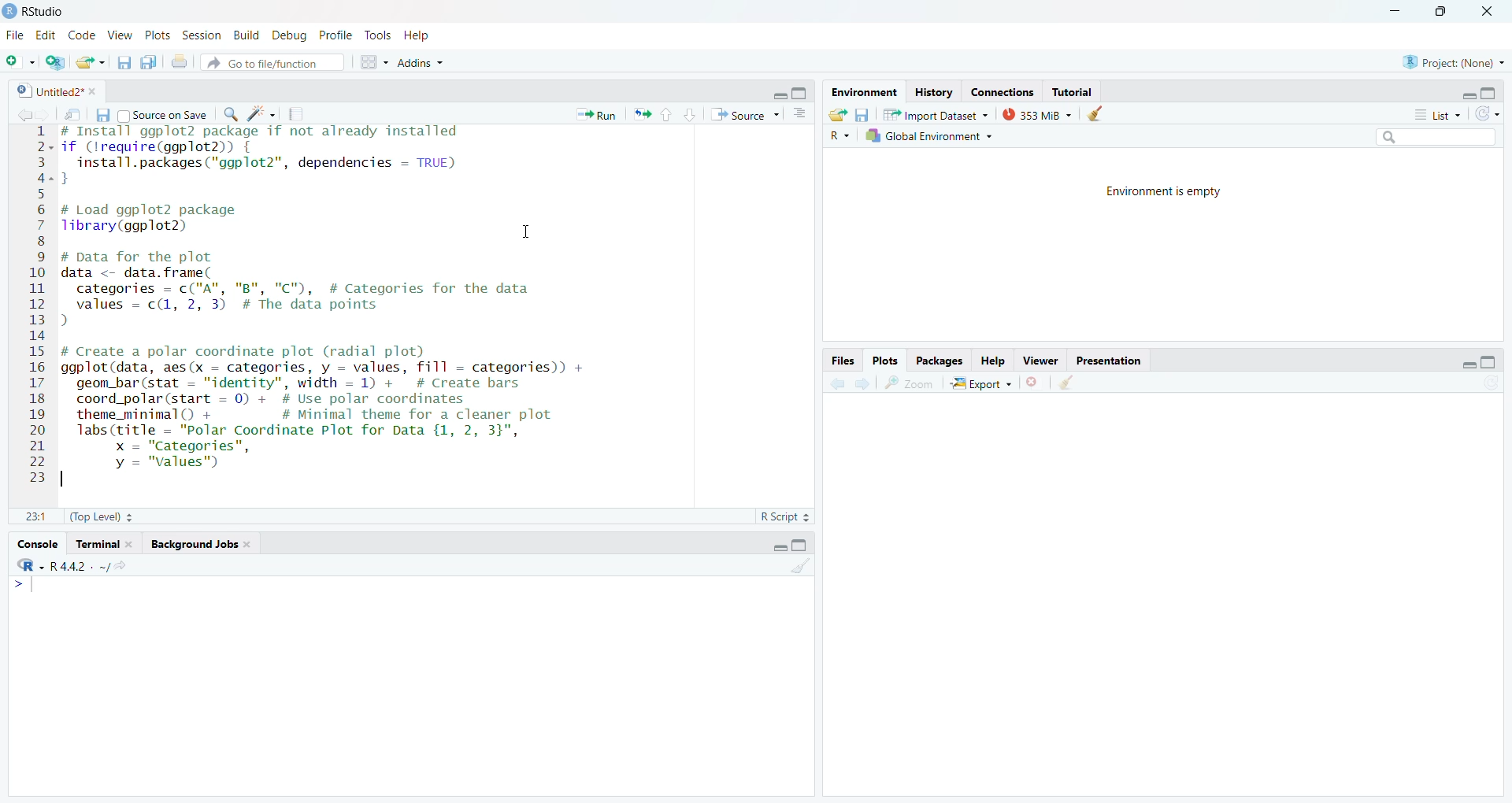  I want to click on code tools, so click(263, 113).